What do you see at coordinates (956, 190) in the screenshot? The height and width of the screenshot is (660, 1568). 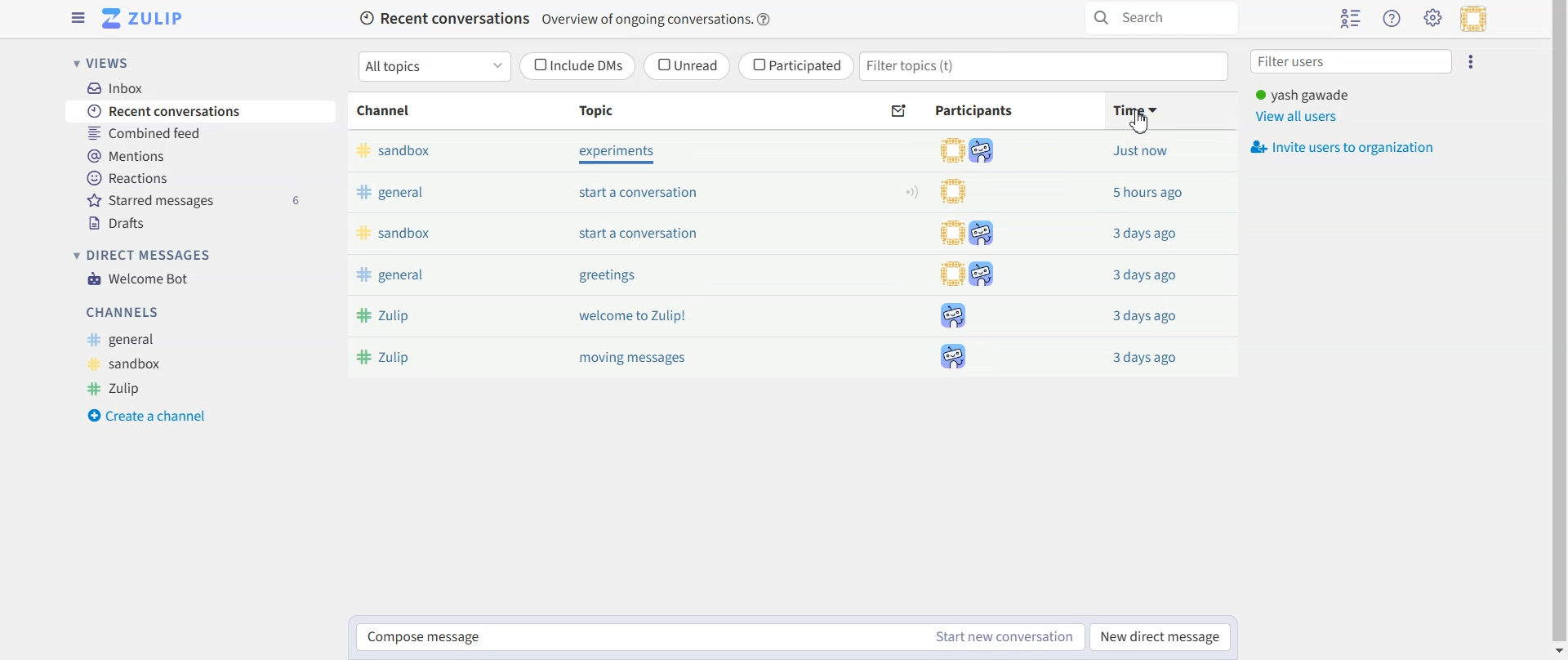 I see `participants` at bounding box center [956, 190].